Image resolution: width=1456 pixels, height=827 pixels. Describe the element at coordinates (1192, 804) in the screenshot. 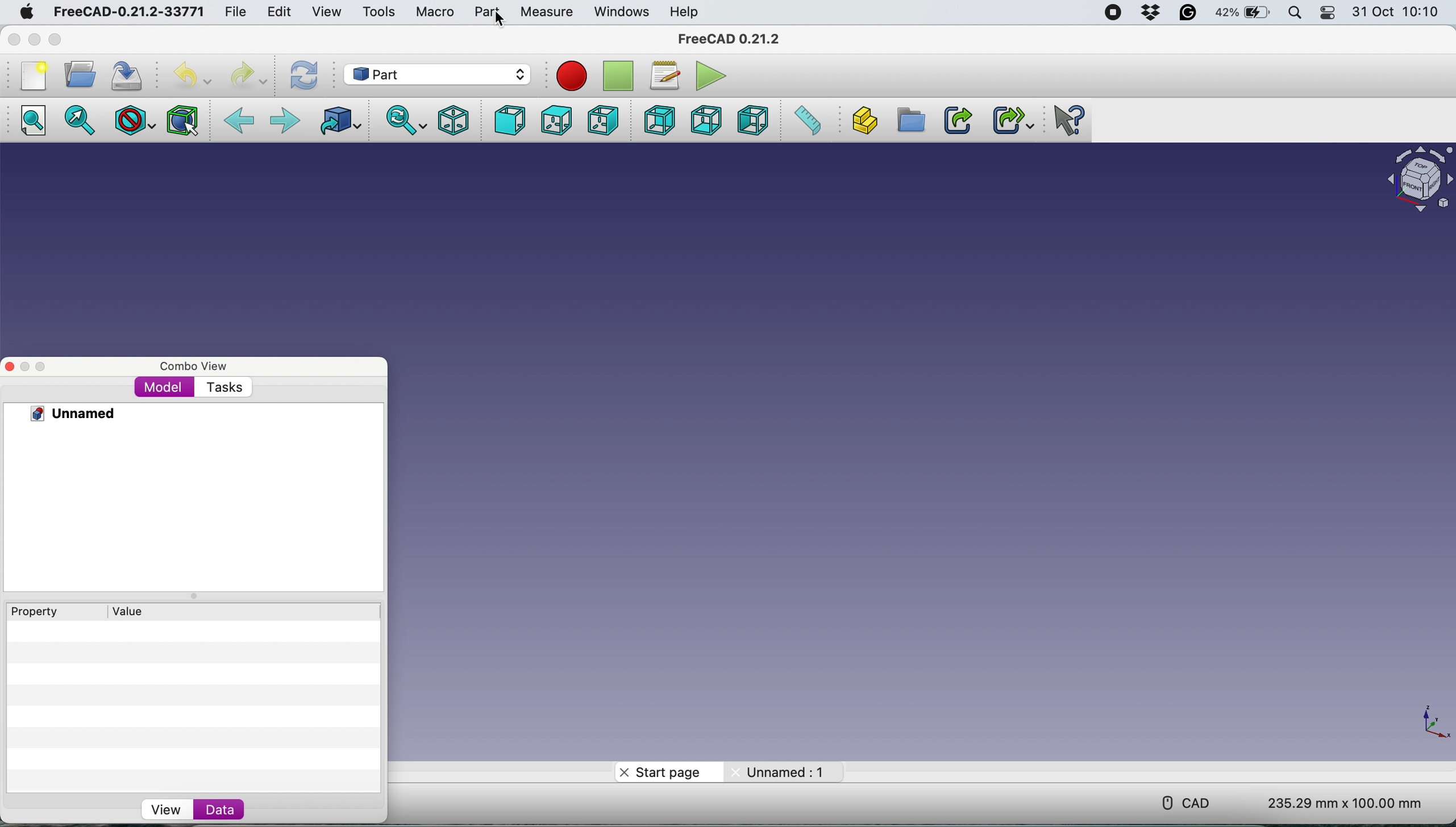

I see `CAD` at that location.